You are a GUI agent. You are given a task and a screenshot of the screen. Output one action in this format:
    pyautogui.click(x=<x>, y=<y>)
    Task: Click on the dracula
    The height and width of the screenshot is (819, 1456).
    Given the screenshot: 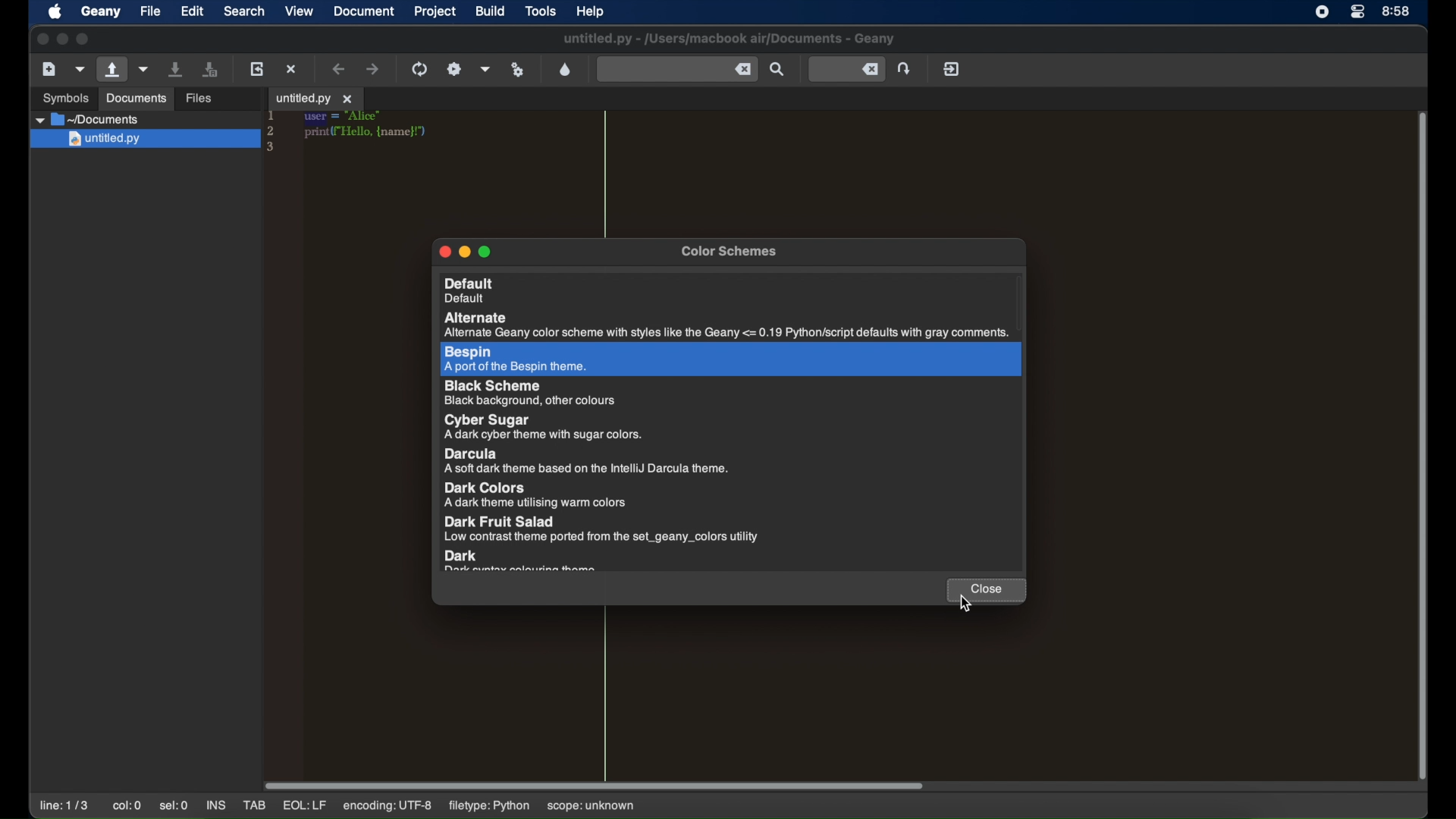 What is the action you would take?
    pyautogui.click(x=585, y=462)
    